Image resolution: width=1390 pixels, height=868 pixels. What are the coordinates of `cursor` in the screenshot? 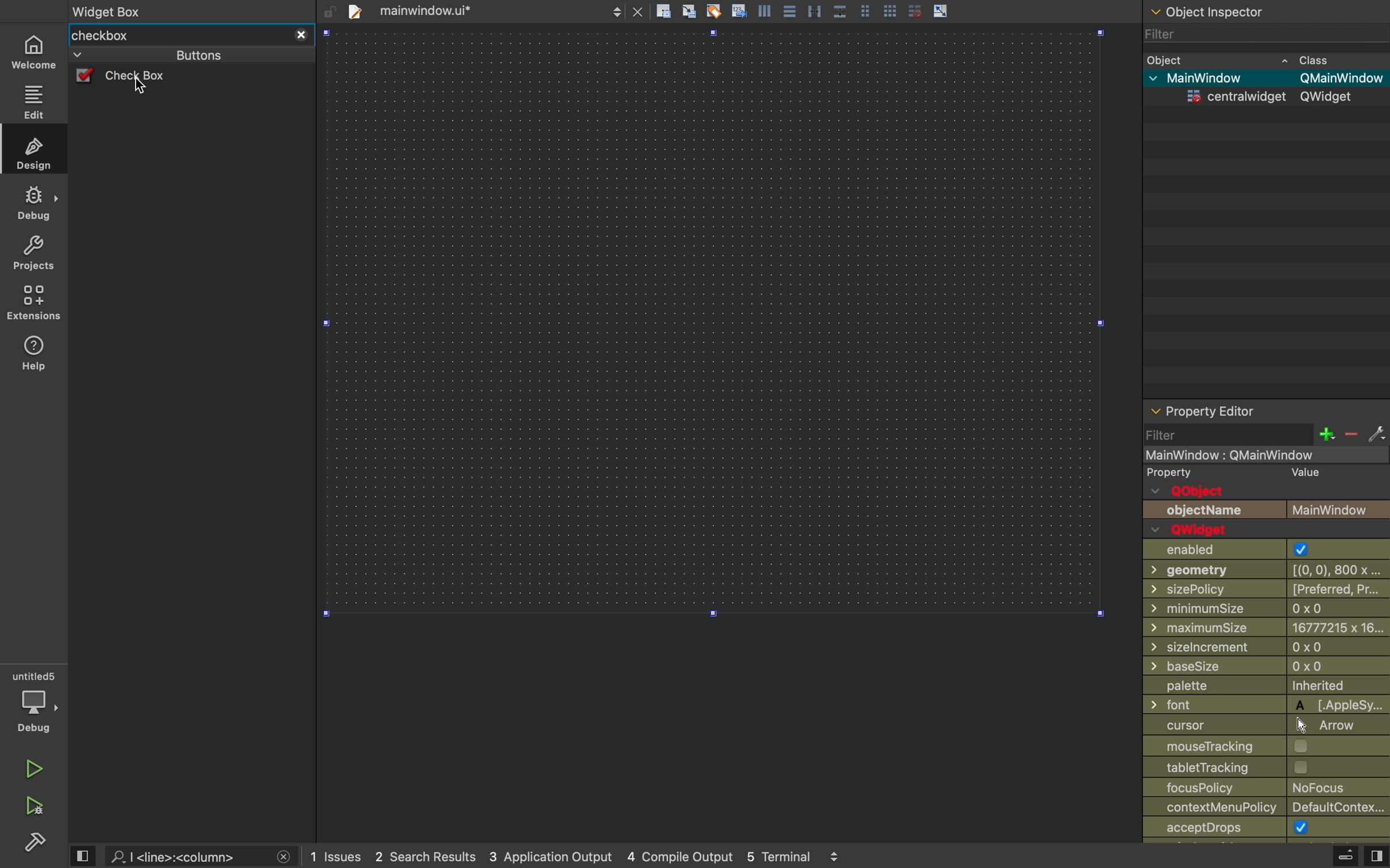 It's located at (141, 87).